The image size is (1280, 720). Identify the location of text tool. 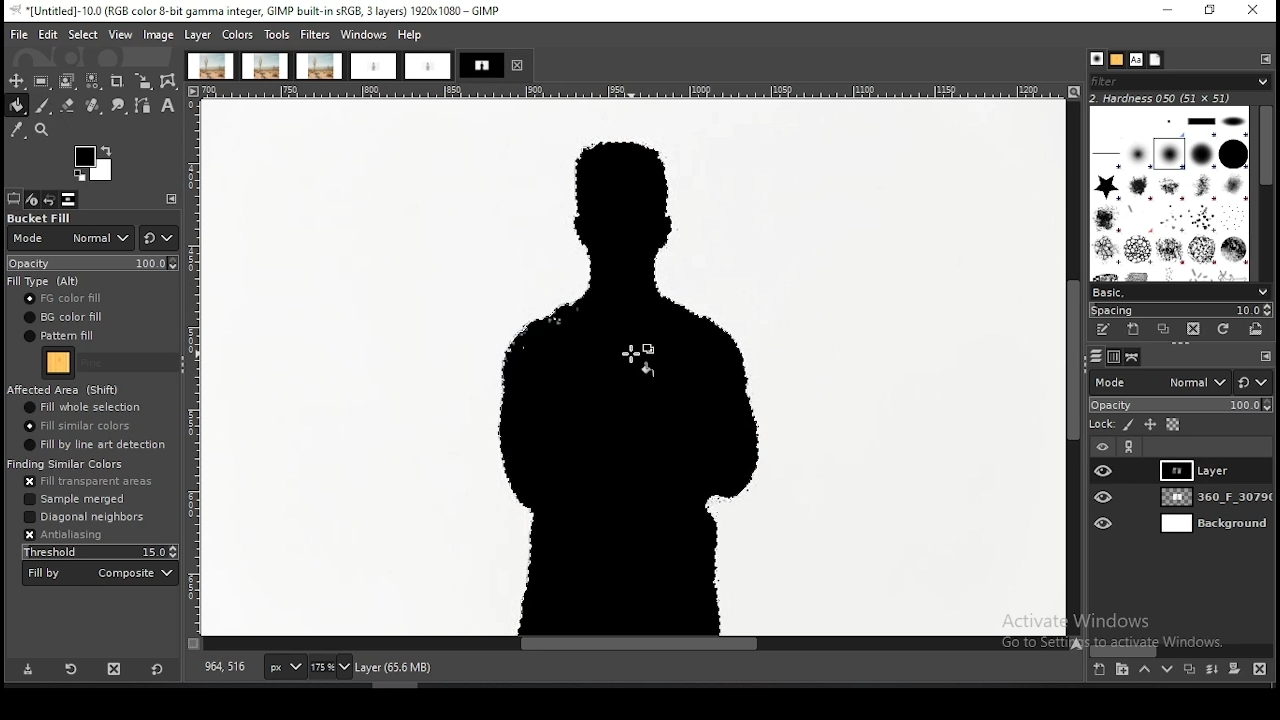
(168, 106).